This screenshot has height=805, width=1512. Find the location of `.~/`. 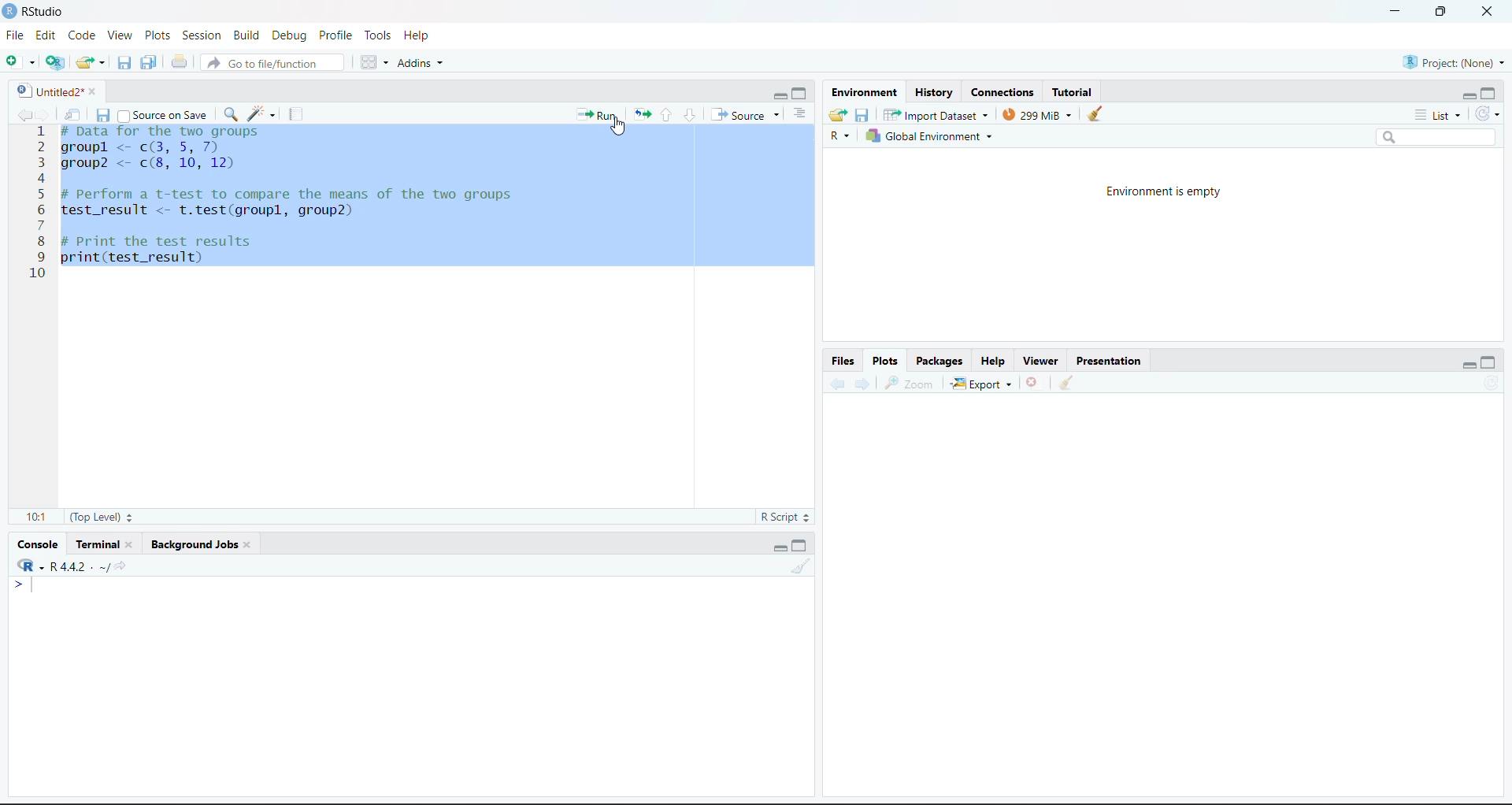

.~/ is located at coordinates (103, 567).